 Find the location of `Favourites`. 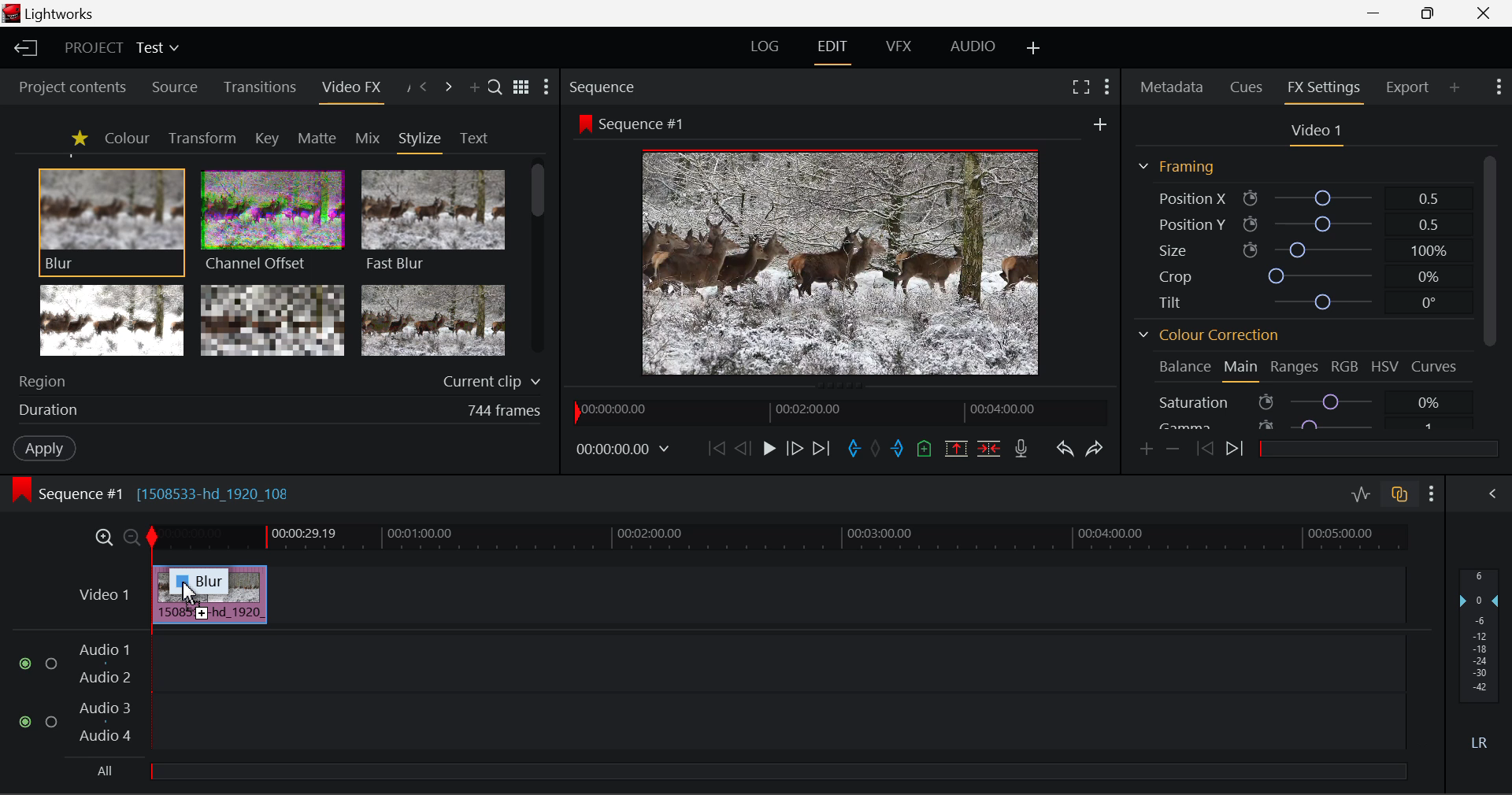

Favourites is located at coordinates (77, 138).